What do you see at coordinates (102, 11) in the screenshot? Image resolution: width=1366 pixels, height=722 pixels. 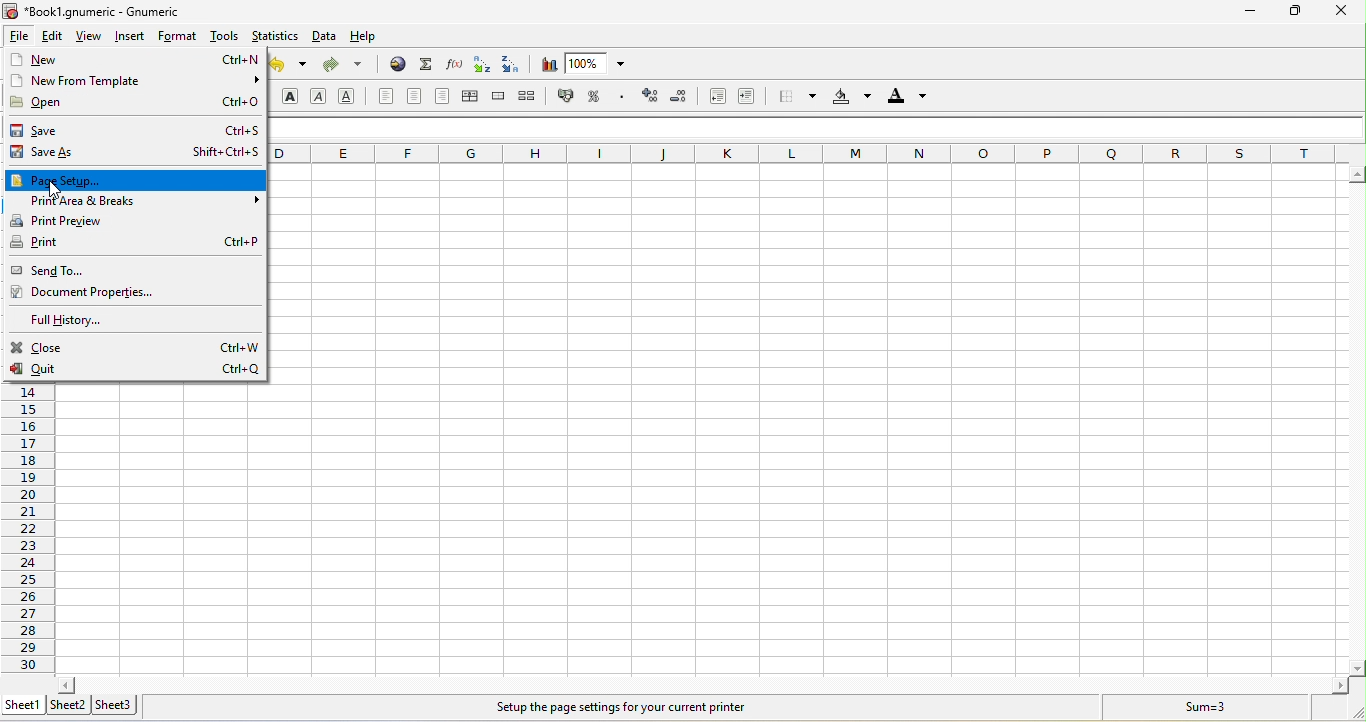 I see `book 1 gnumeric- gnumeric` at bounding box center [102, 11].